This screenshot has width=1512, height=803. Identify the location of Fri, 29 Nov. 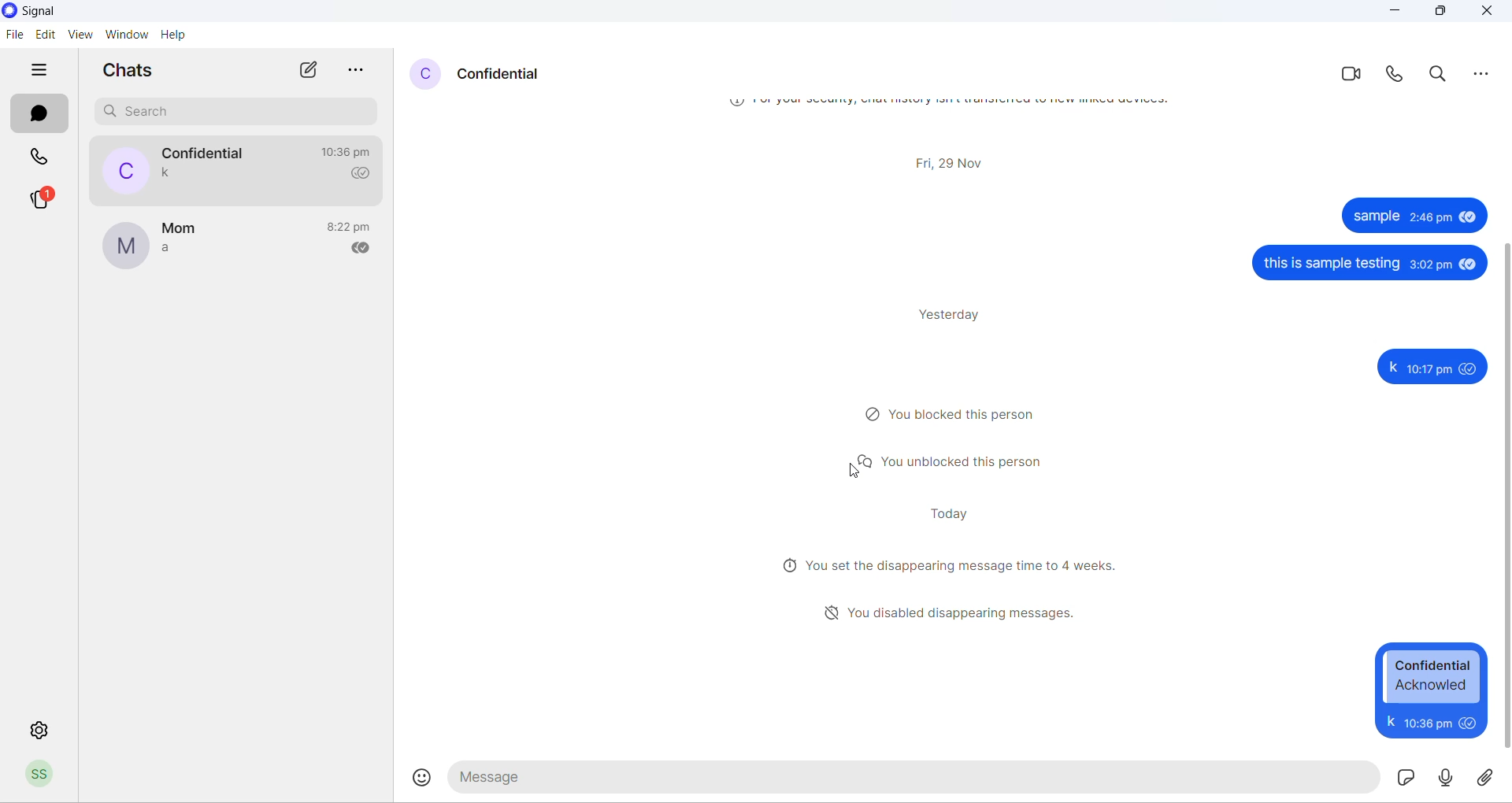
(968, 160).